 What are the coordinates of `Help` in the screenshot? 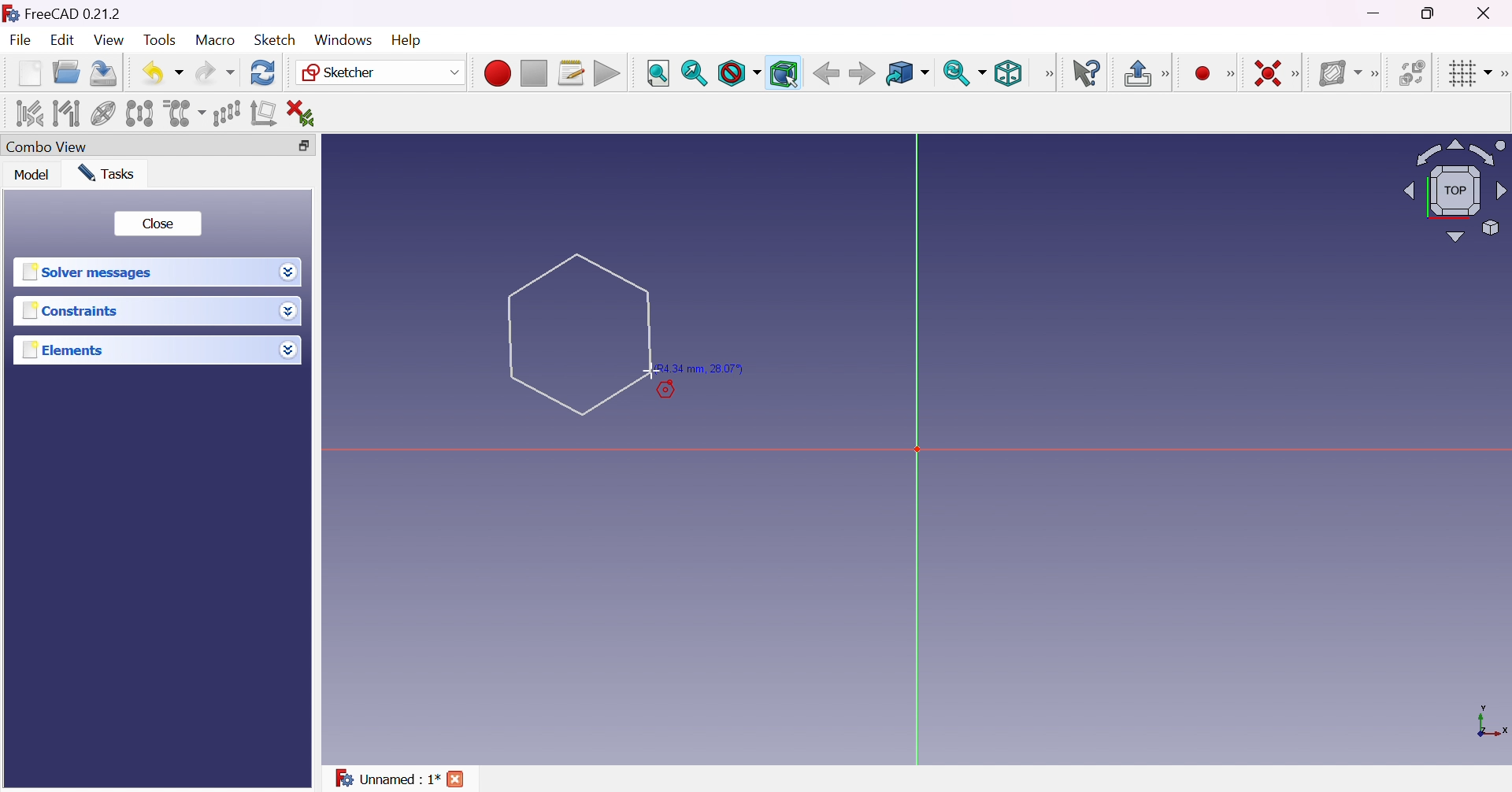 It's located at (409, 41).